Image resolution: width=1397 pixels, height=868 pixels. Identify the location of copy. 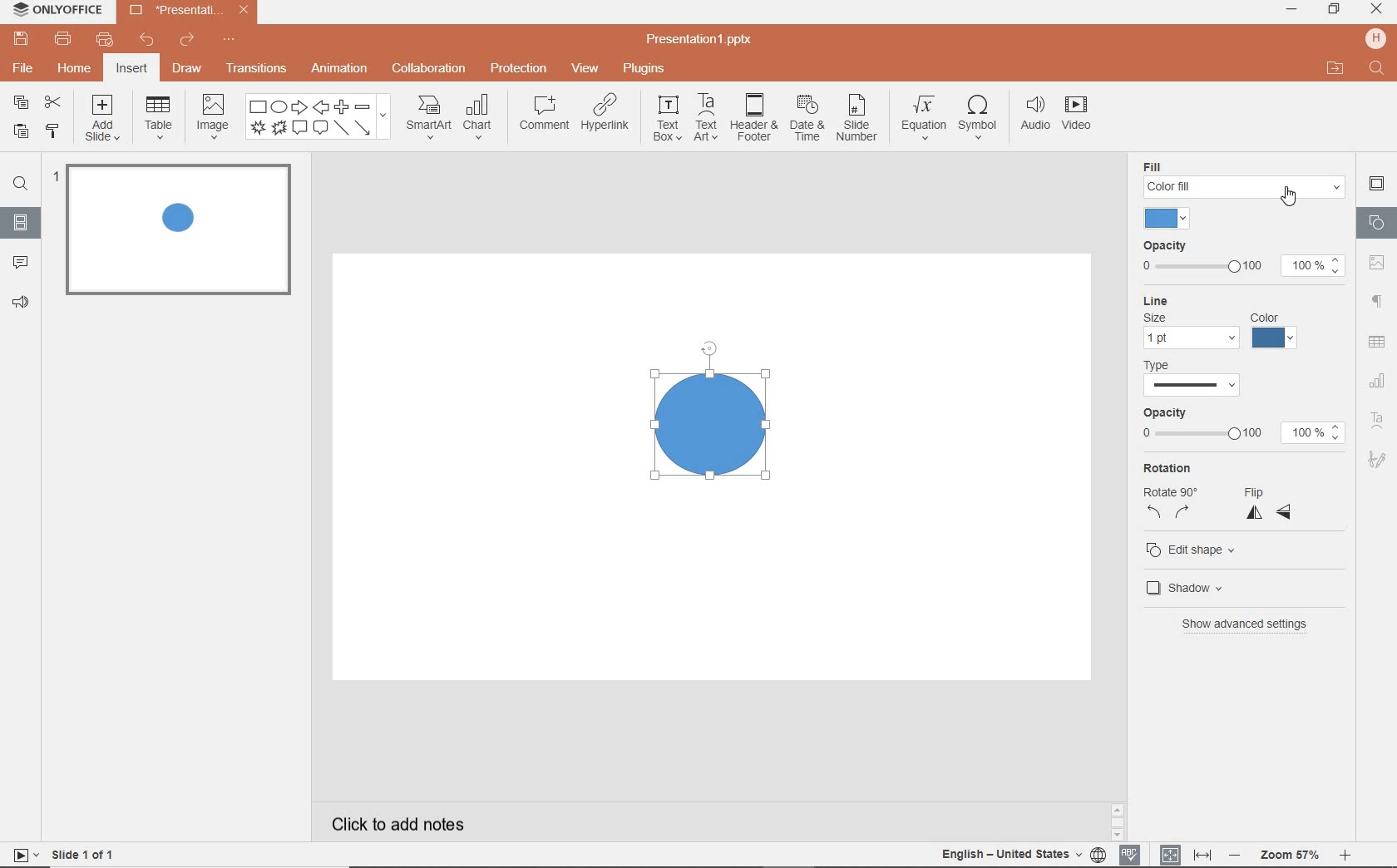
(23, 104).